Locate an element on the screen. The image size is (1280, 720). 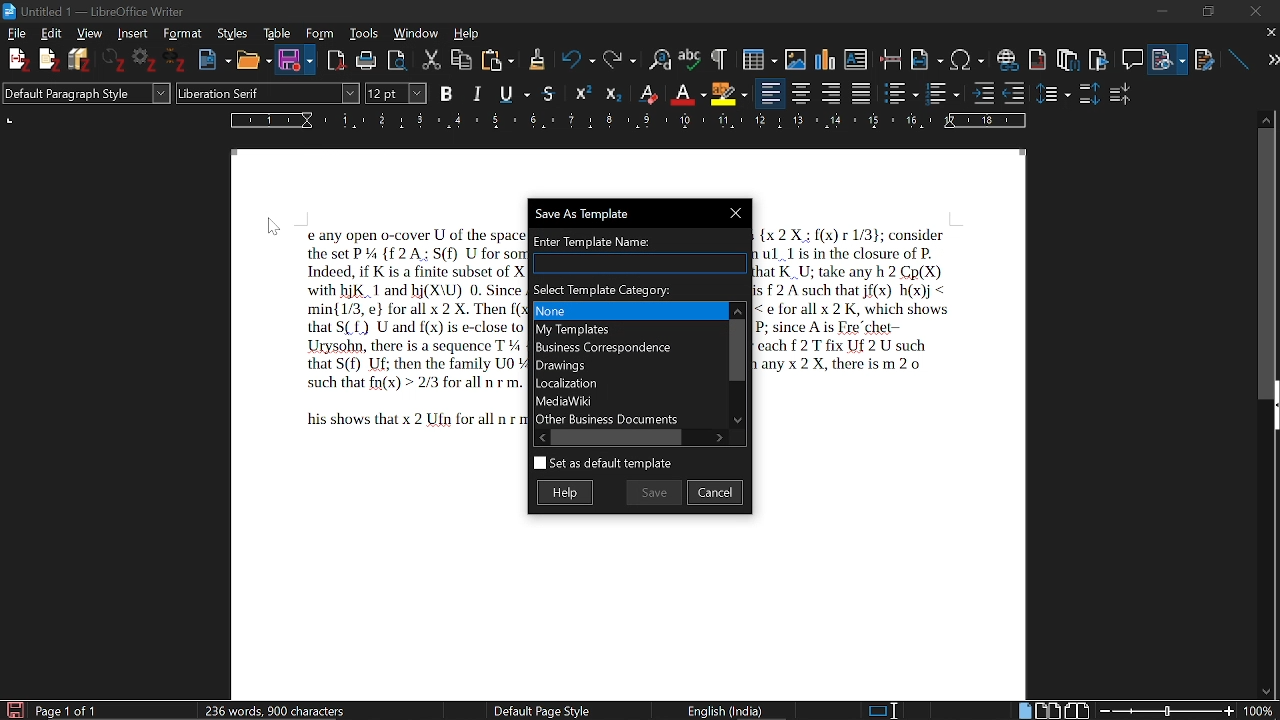
Enter template name is located at coordinates (639, 241).